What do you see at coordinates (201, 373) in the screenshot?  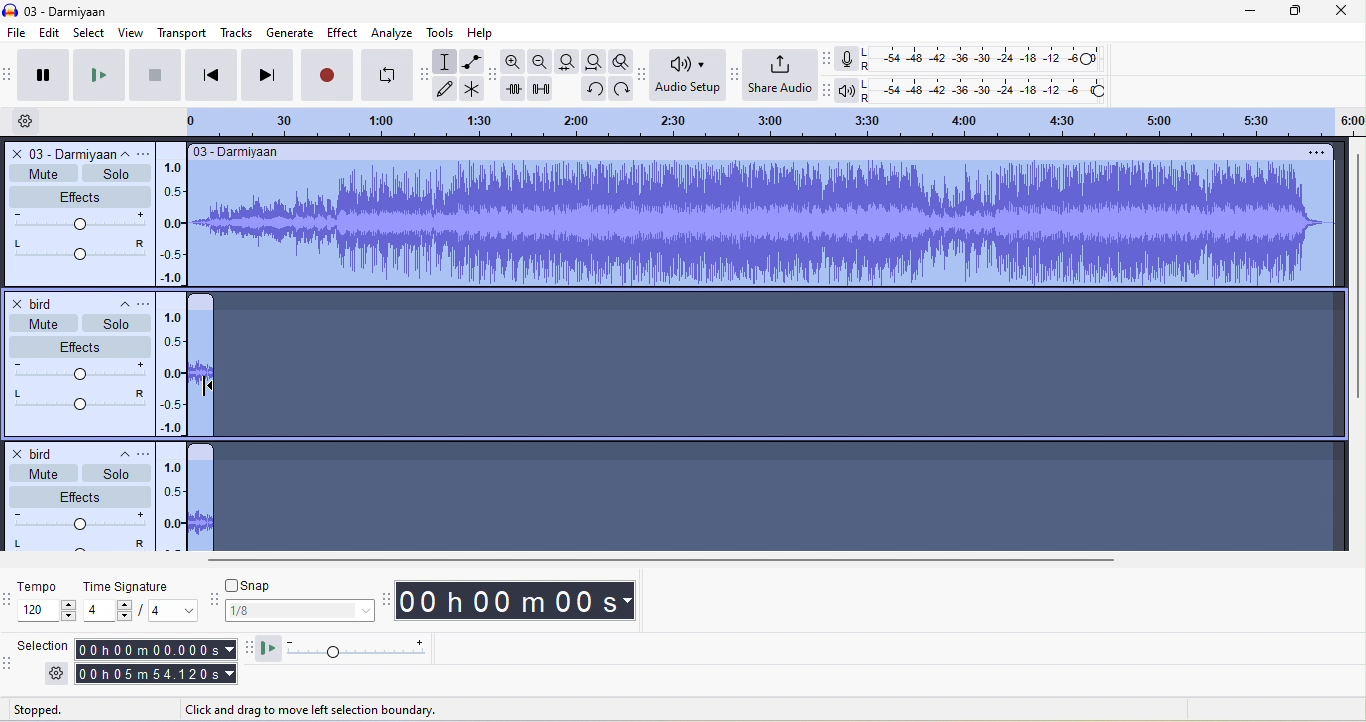 I see `audio` at bounding box center [201, 373].